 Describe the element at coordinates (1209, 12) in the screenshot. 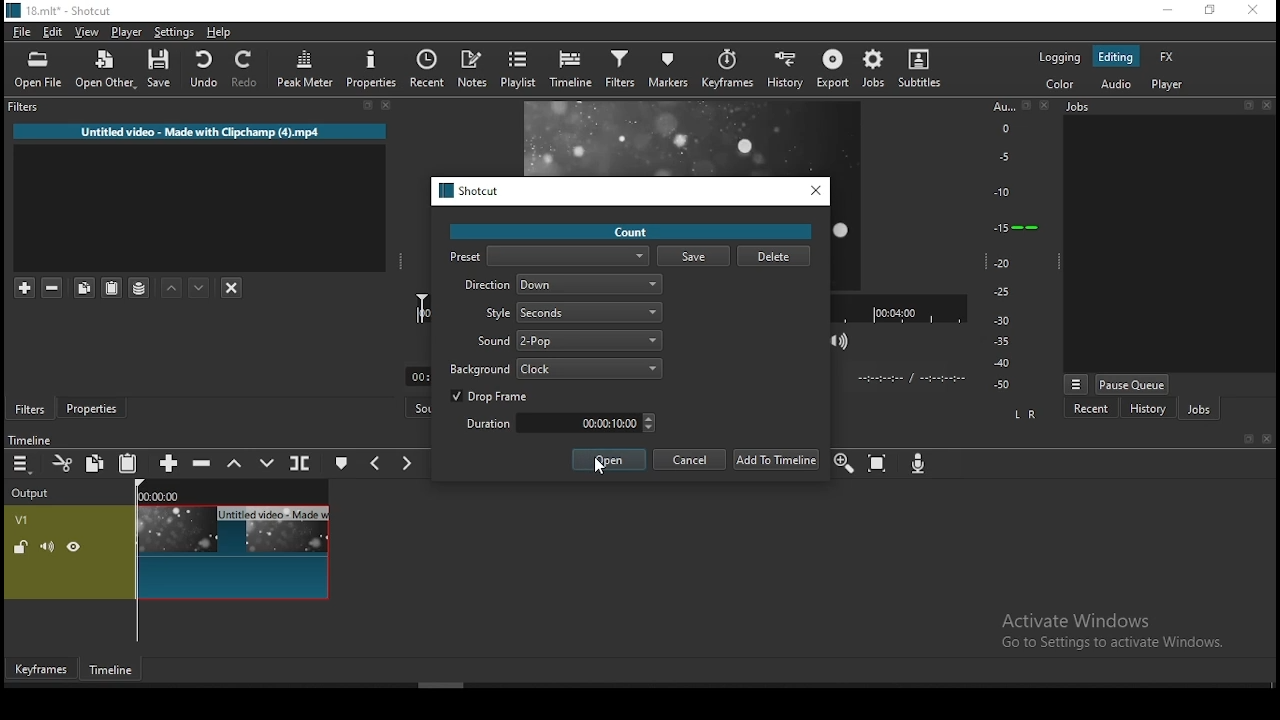

I see `restore` at that location.